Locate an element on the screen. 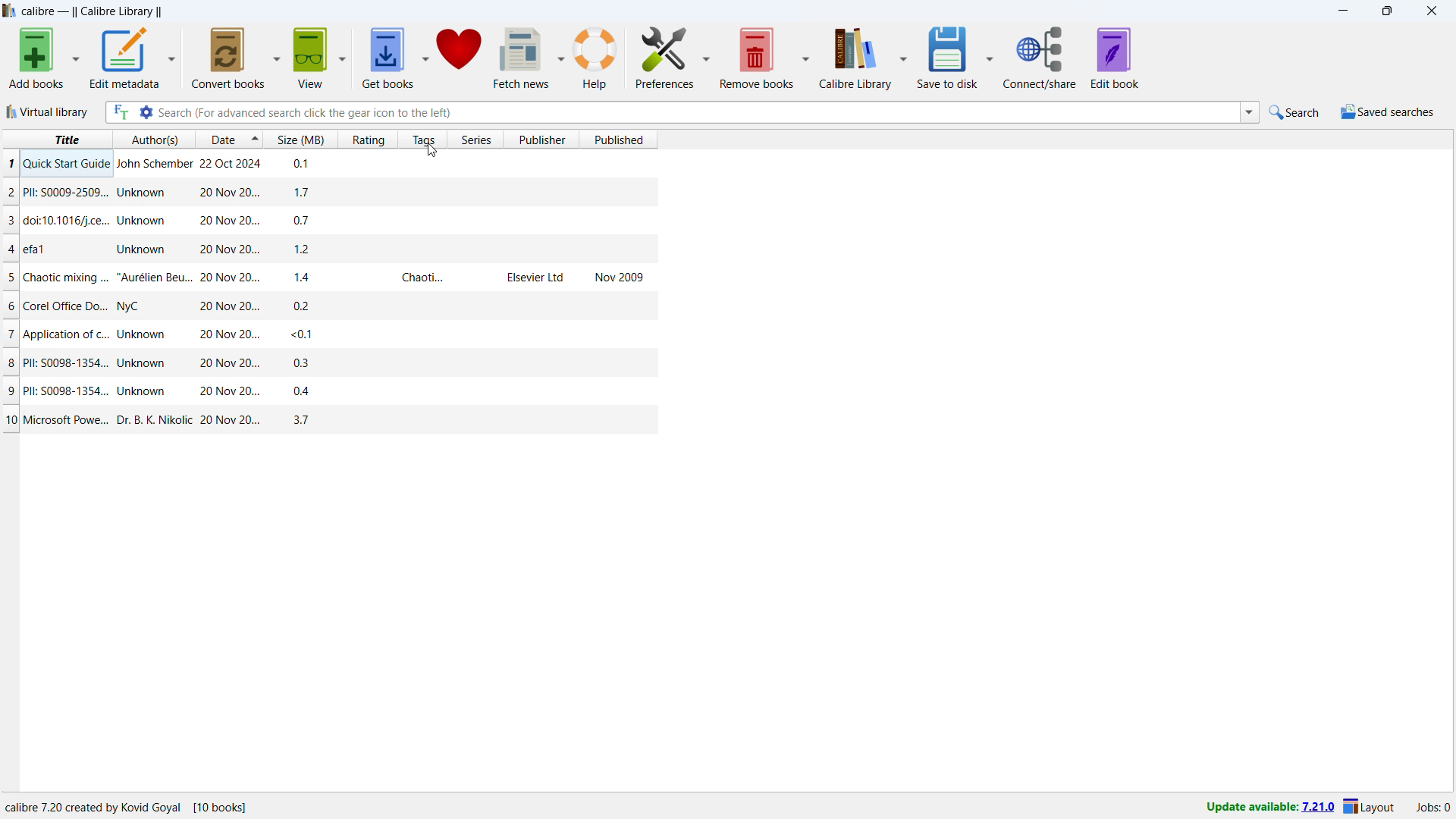  sort by publisher is located at coordinates (540, 139).